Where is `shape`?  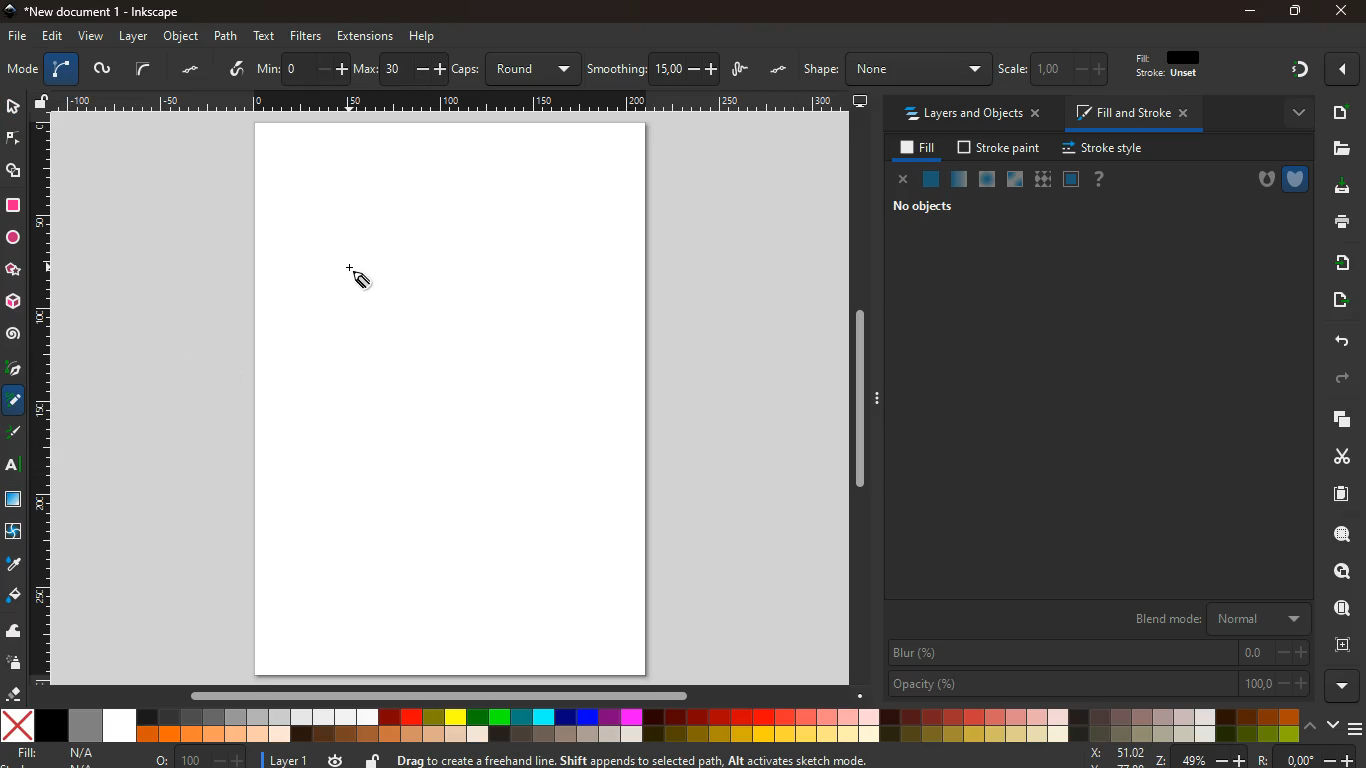 shape is located at coordinates (15, 170).